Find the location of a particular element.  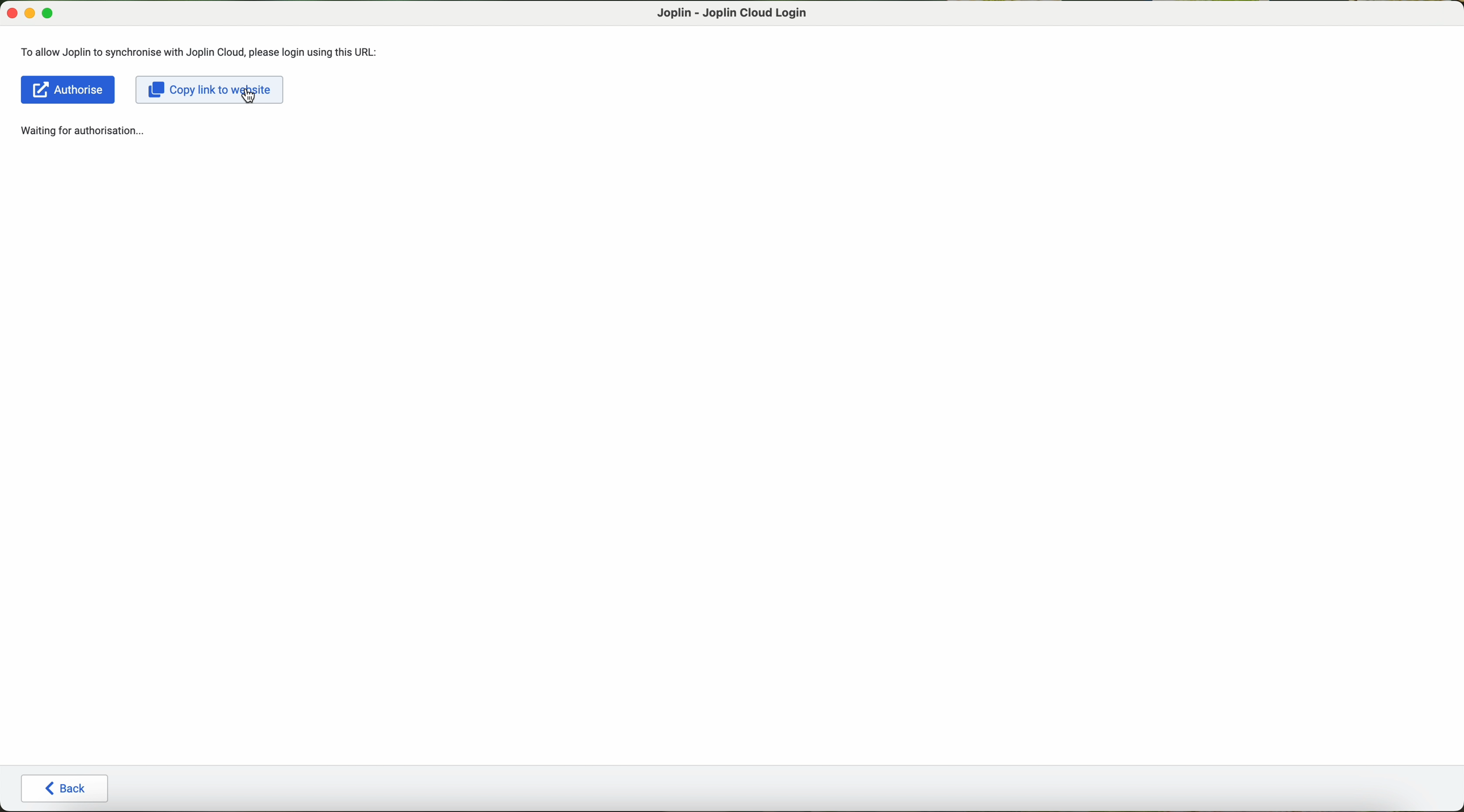

maximize Joplin is located at coordinates (48, 14).